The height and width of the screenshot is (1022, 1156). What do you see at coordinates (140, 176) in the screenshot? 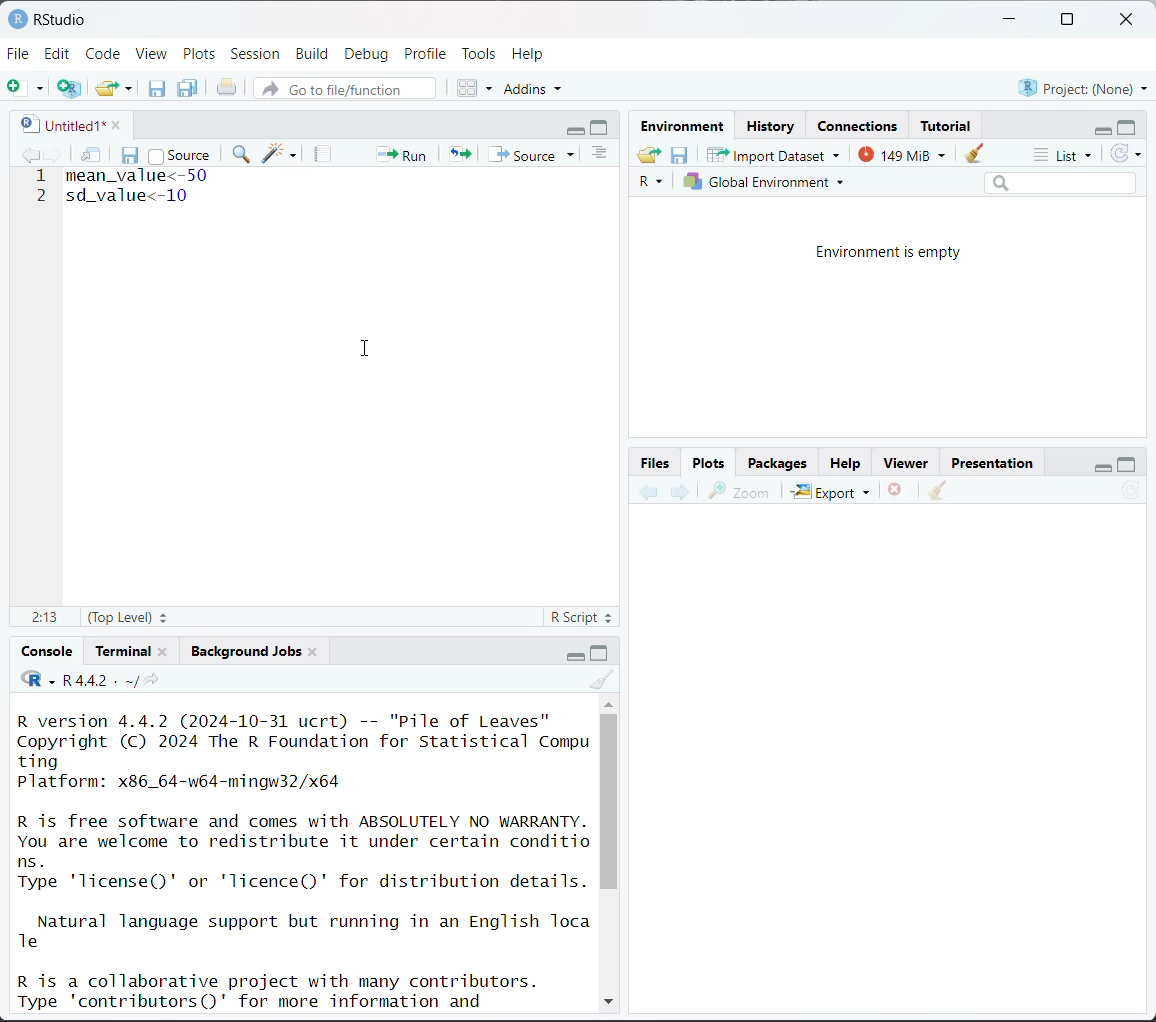
I see `mean_value<-50` at bounding box center [140, 176].